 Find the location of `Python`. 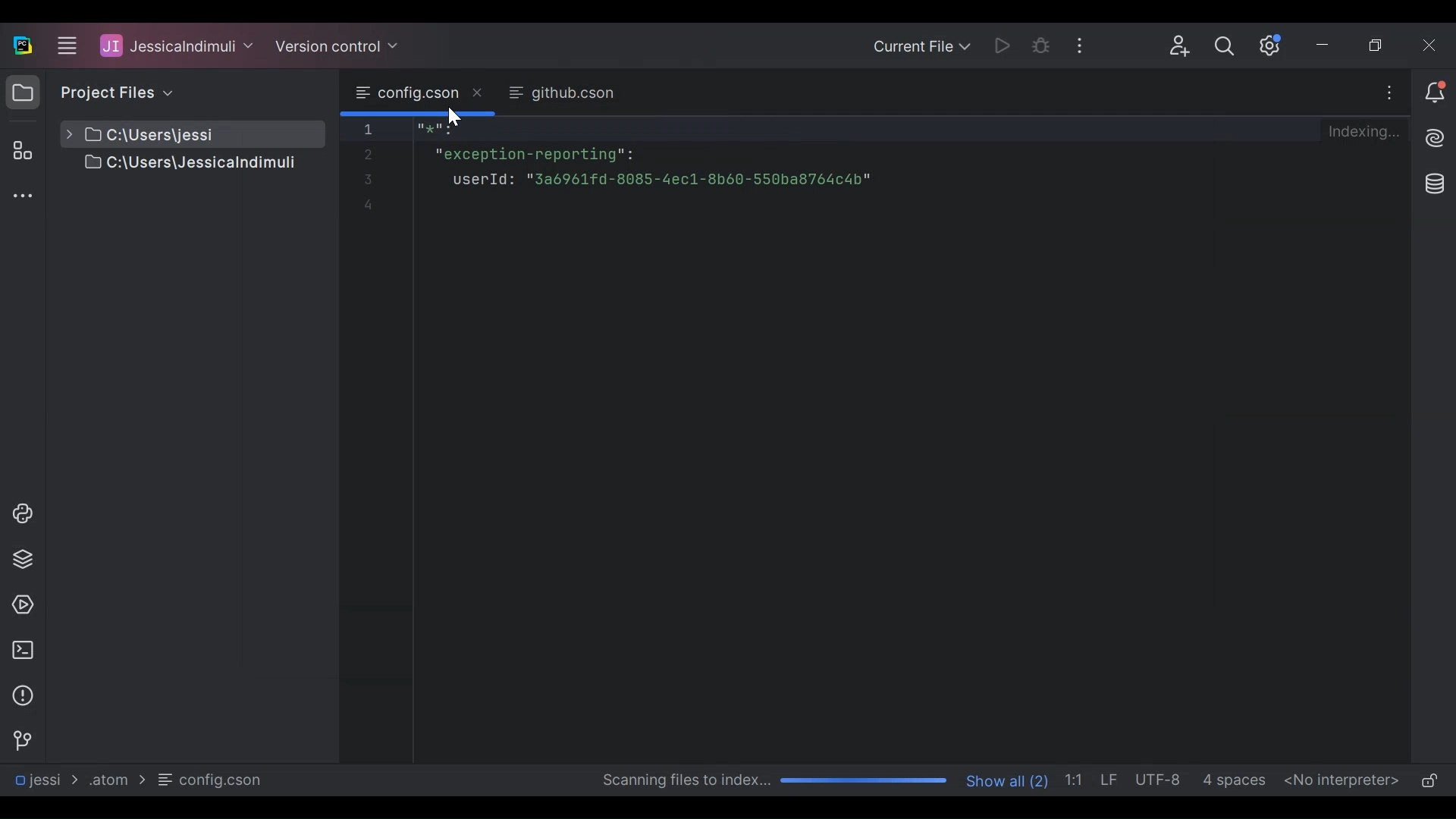

Python is located at coordinates (24, 559).